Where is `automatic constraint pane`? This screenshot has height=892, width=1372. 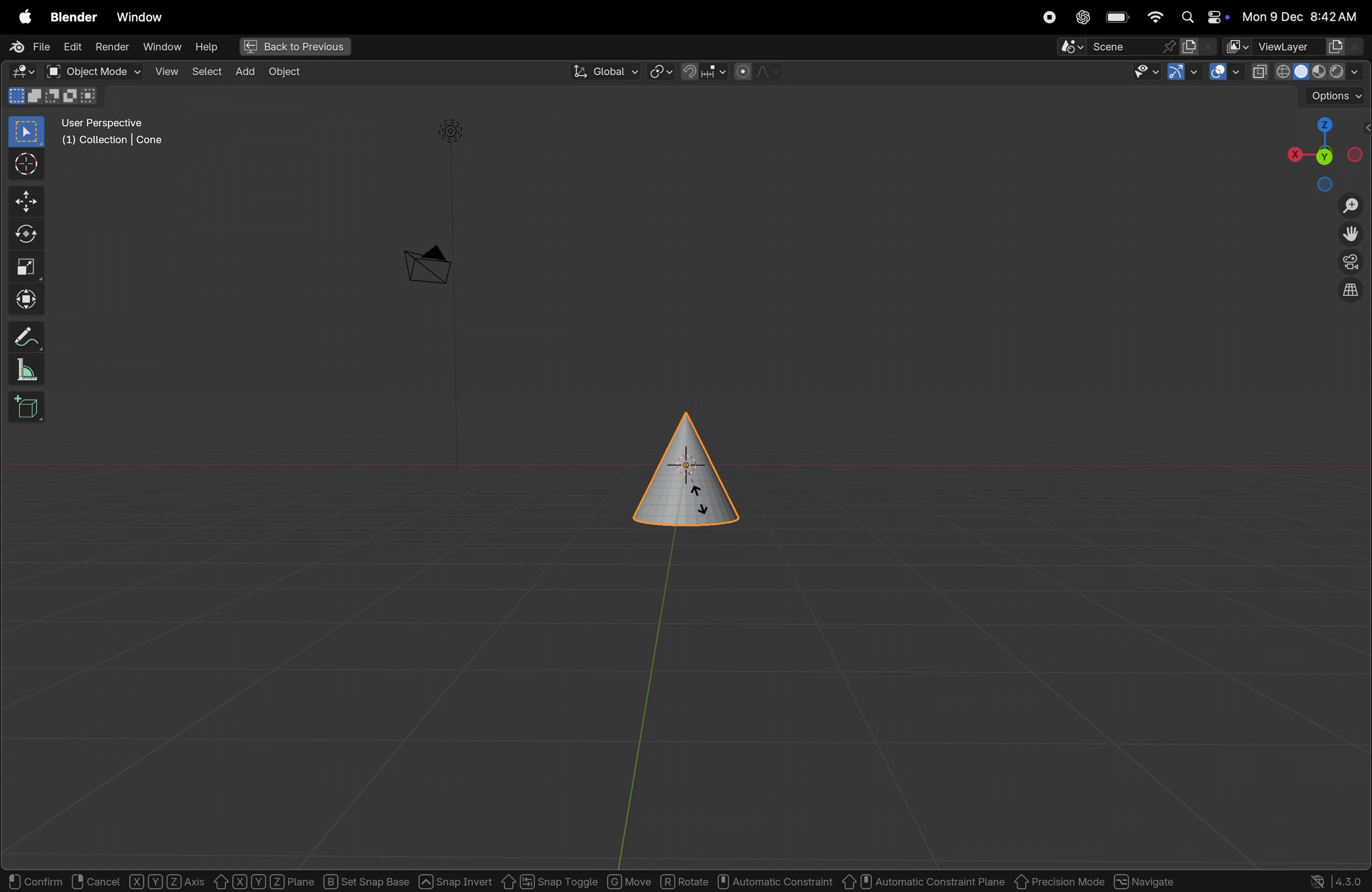
automatic constraint pane is located at coordinates (920, 880).